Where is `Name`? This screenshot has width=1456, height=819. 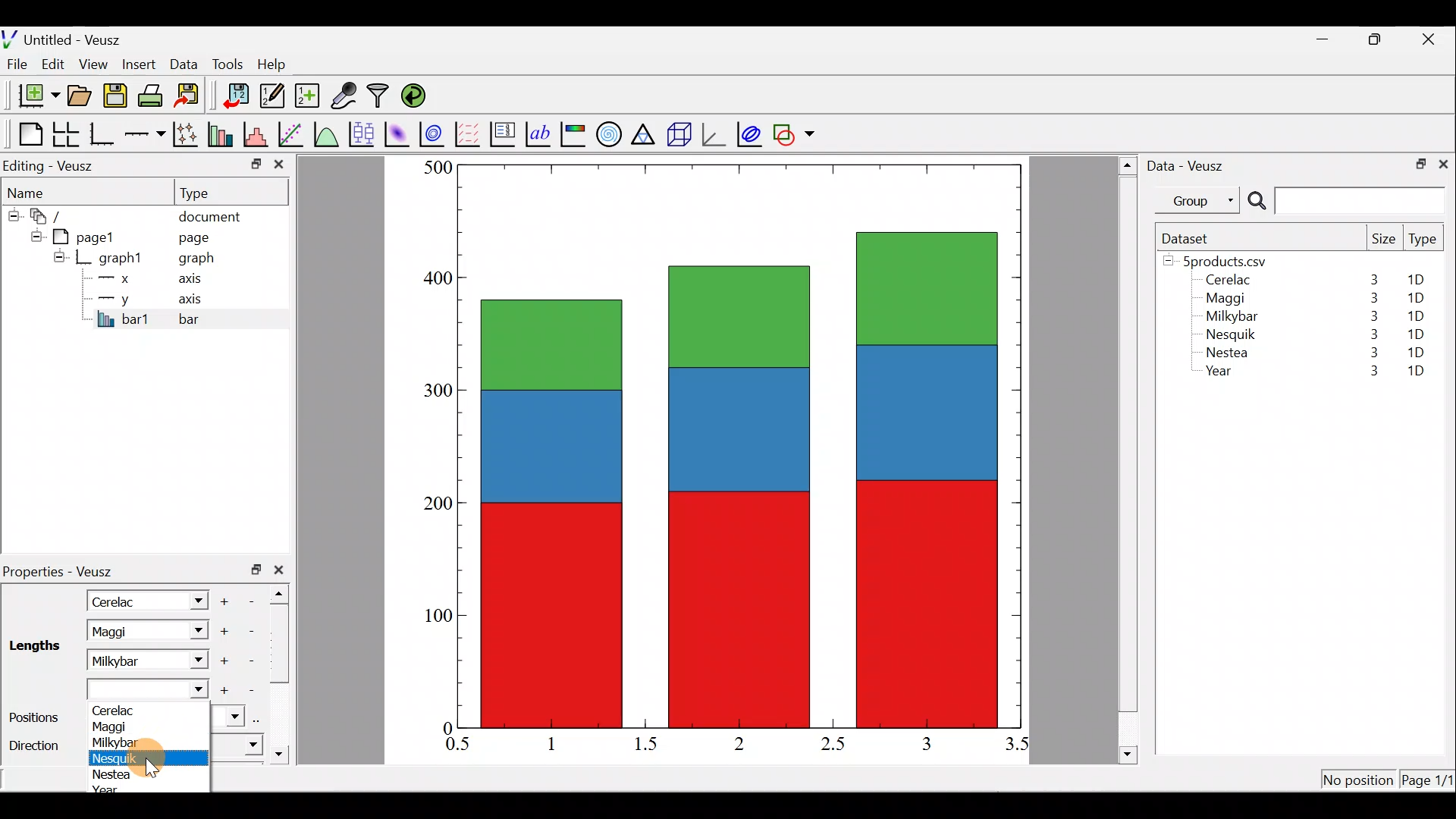
Name is located at coordinates (35, 190).